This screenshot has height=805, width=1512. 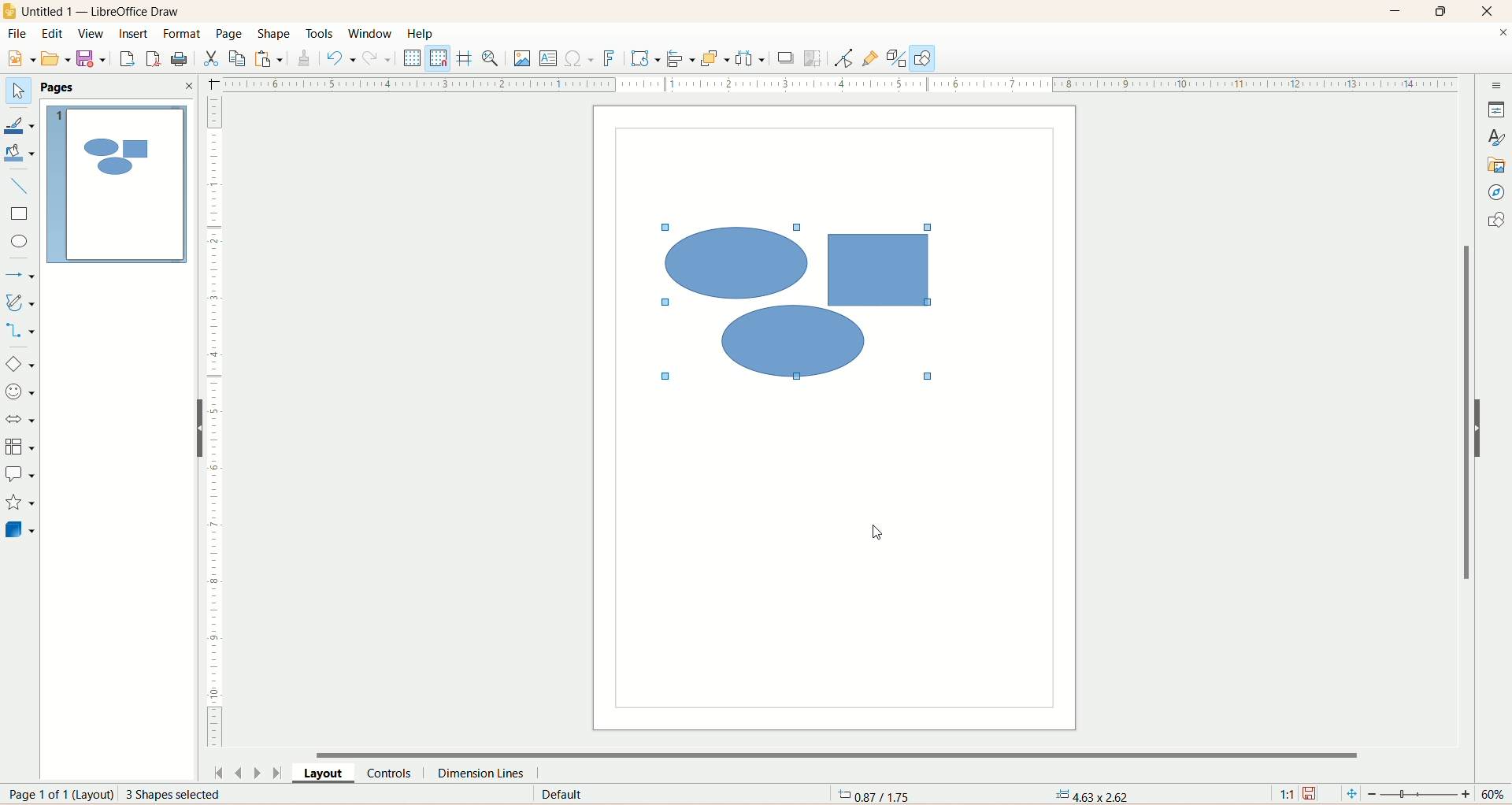 I want to click on styles, so click(x=1498, y=137).